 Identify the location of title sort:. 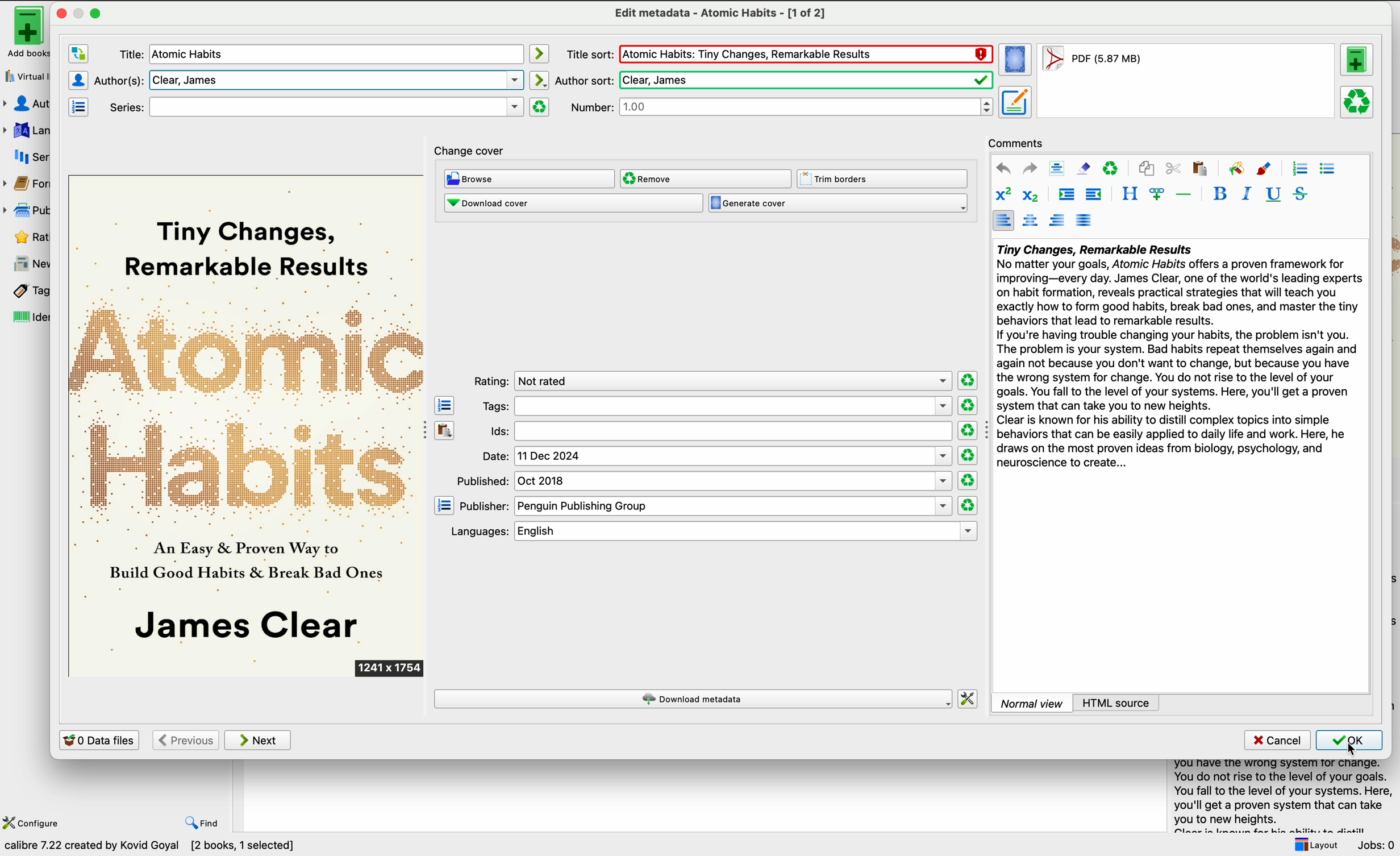
(589, 54).